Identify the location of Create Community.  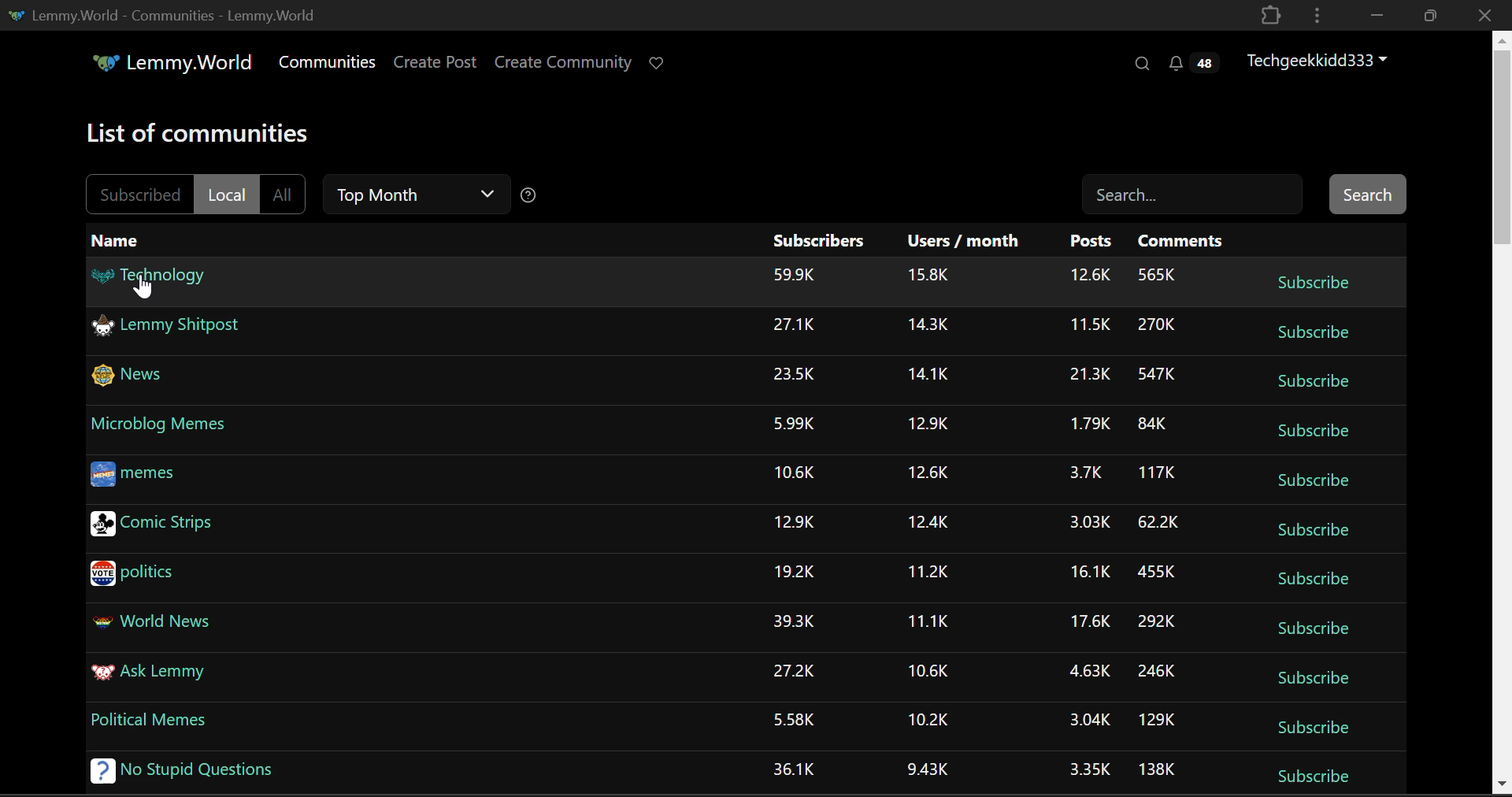
(563, 61).